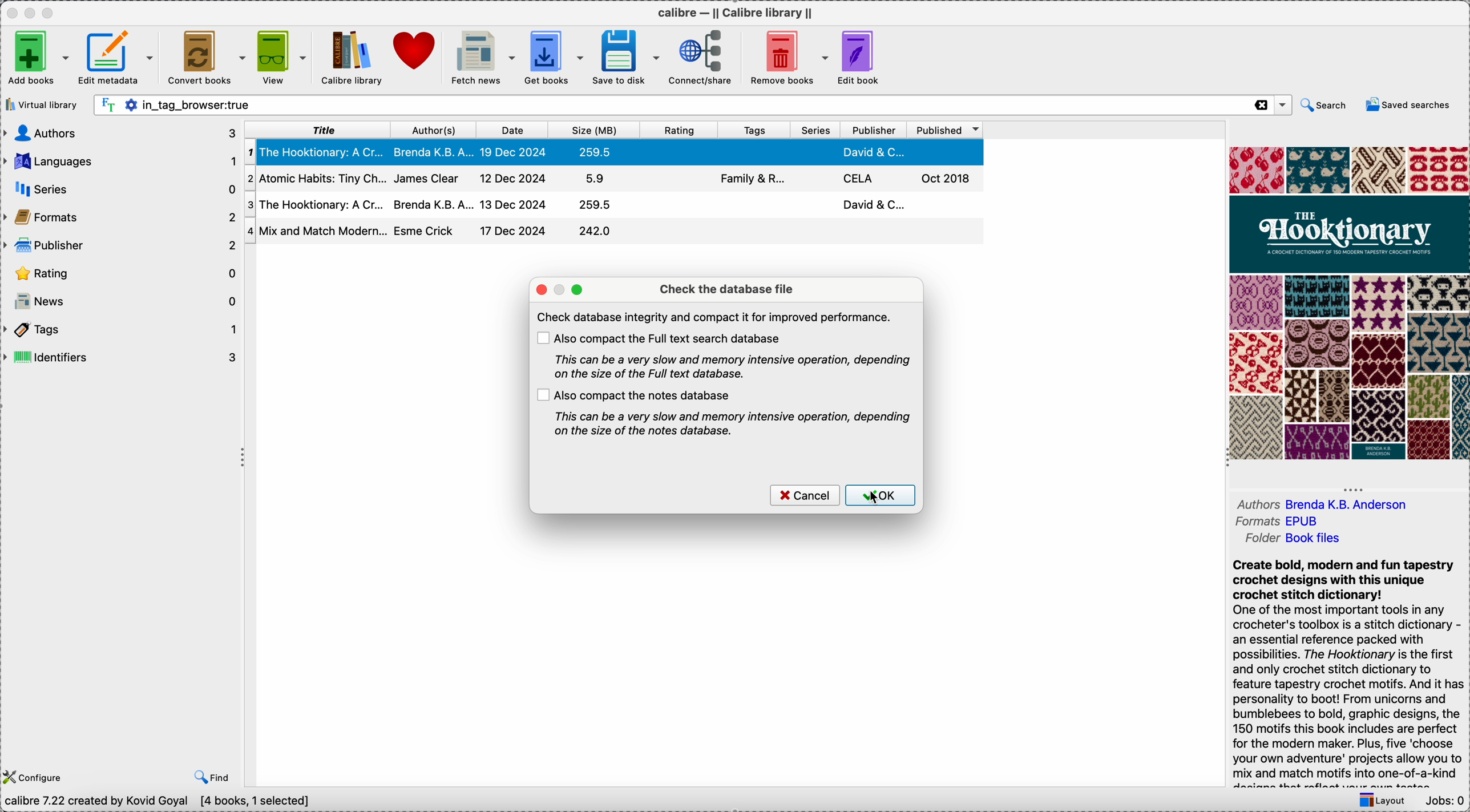 Image resolution: width=1470 pixels, height=812 pixels. What do you see at coordinates (659, 338) in the screenshot?
I see `also compact the full text search database` at bounding box center [659, 338].